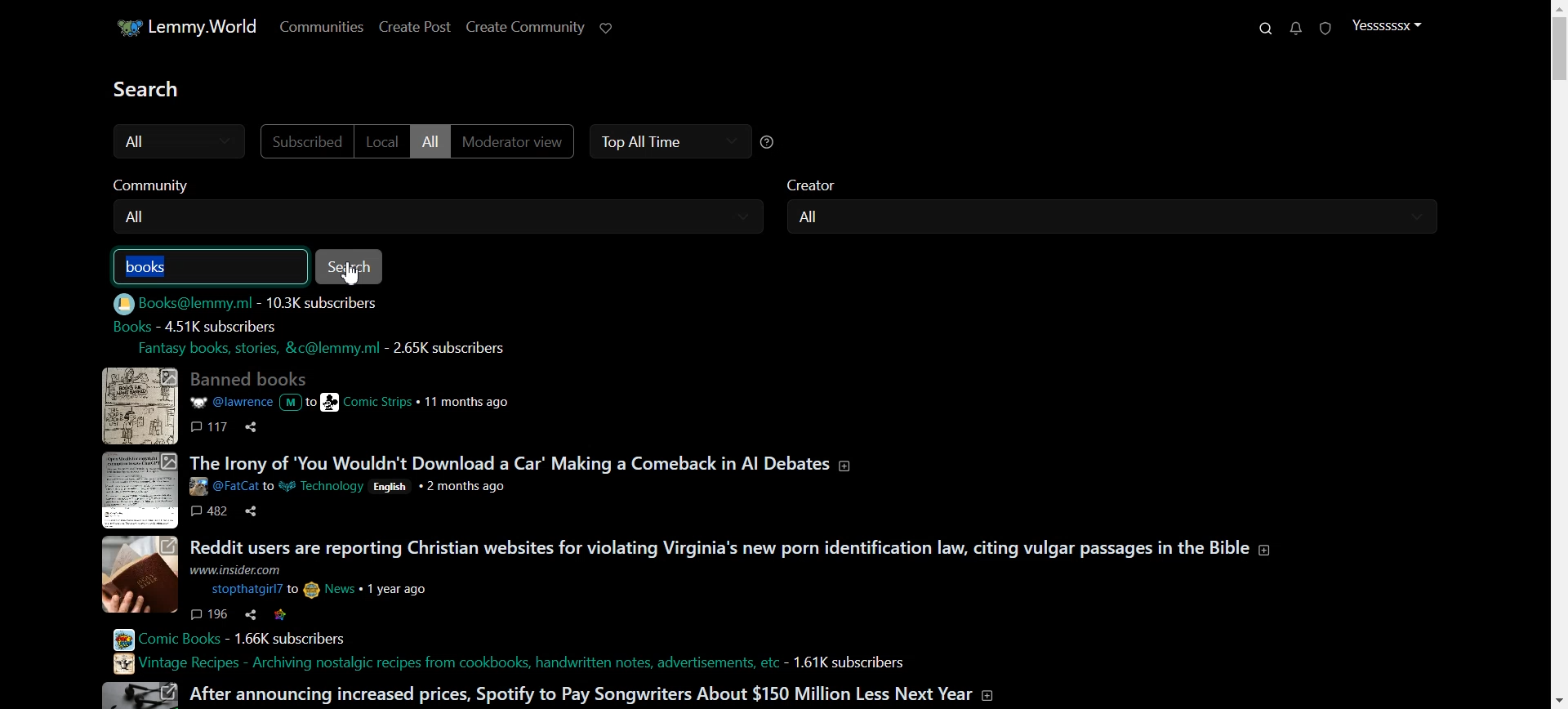 Image resolution: width=1568 pixels, height=709 pixels. I want to click on subscriber, so click(327, 302).